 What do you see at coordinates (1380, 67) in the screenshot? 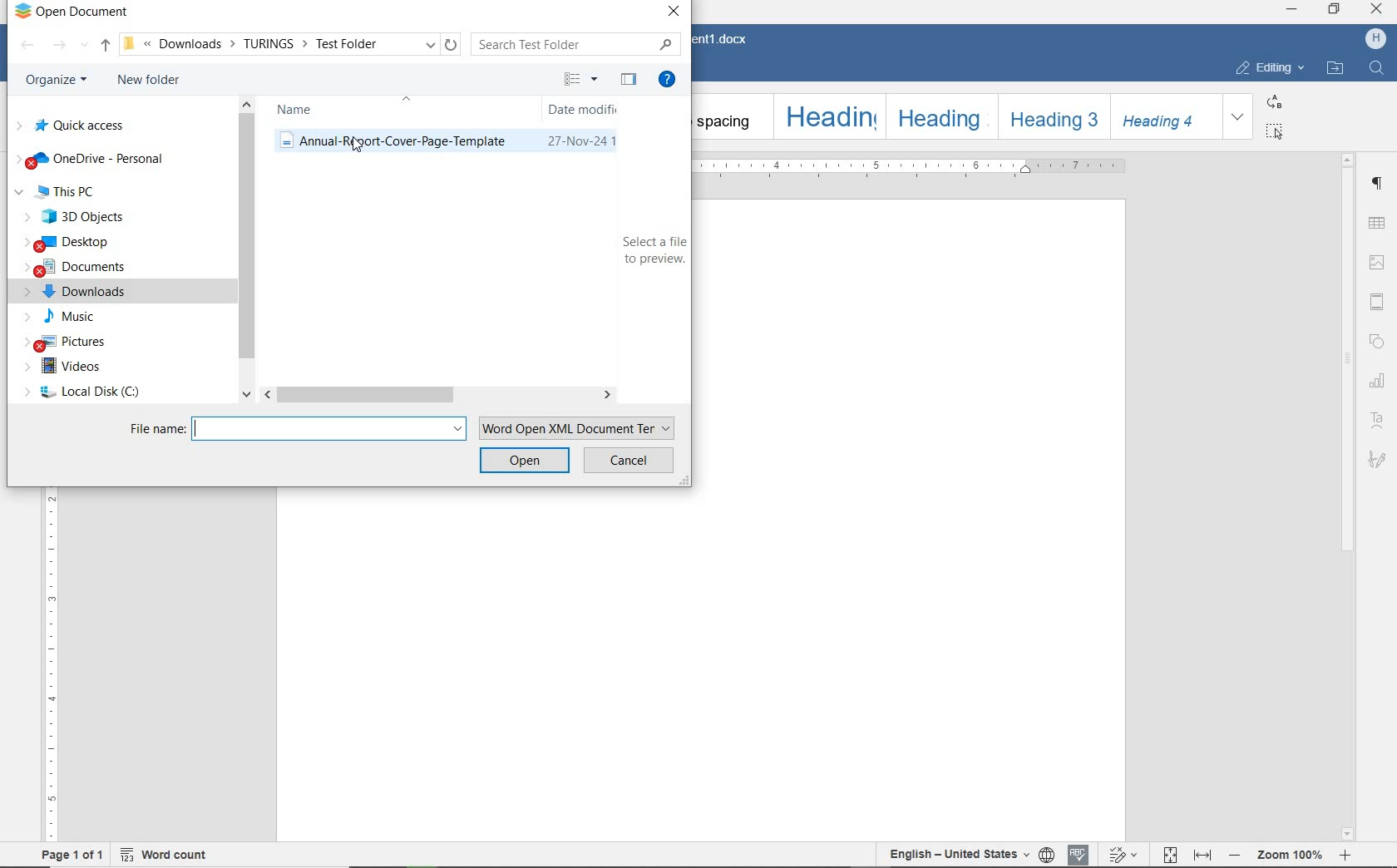
I see `FIND` at bounding box center [1380, 67].